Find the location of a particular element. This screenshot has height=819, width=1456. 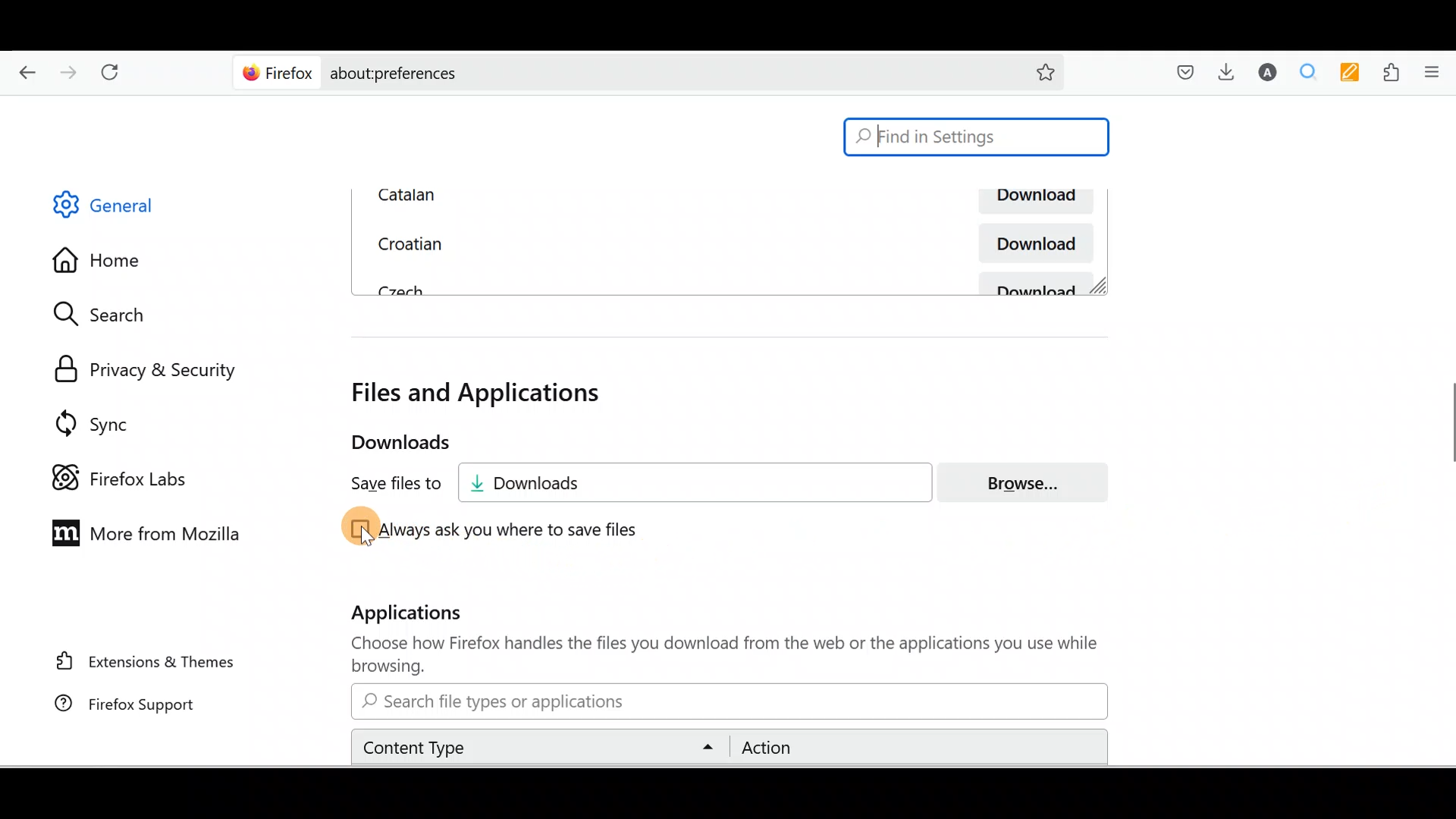

Downloads is located at coordinates (706, 482).